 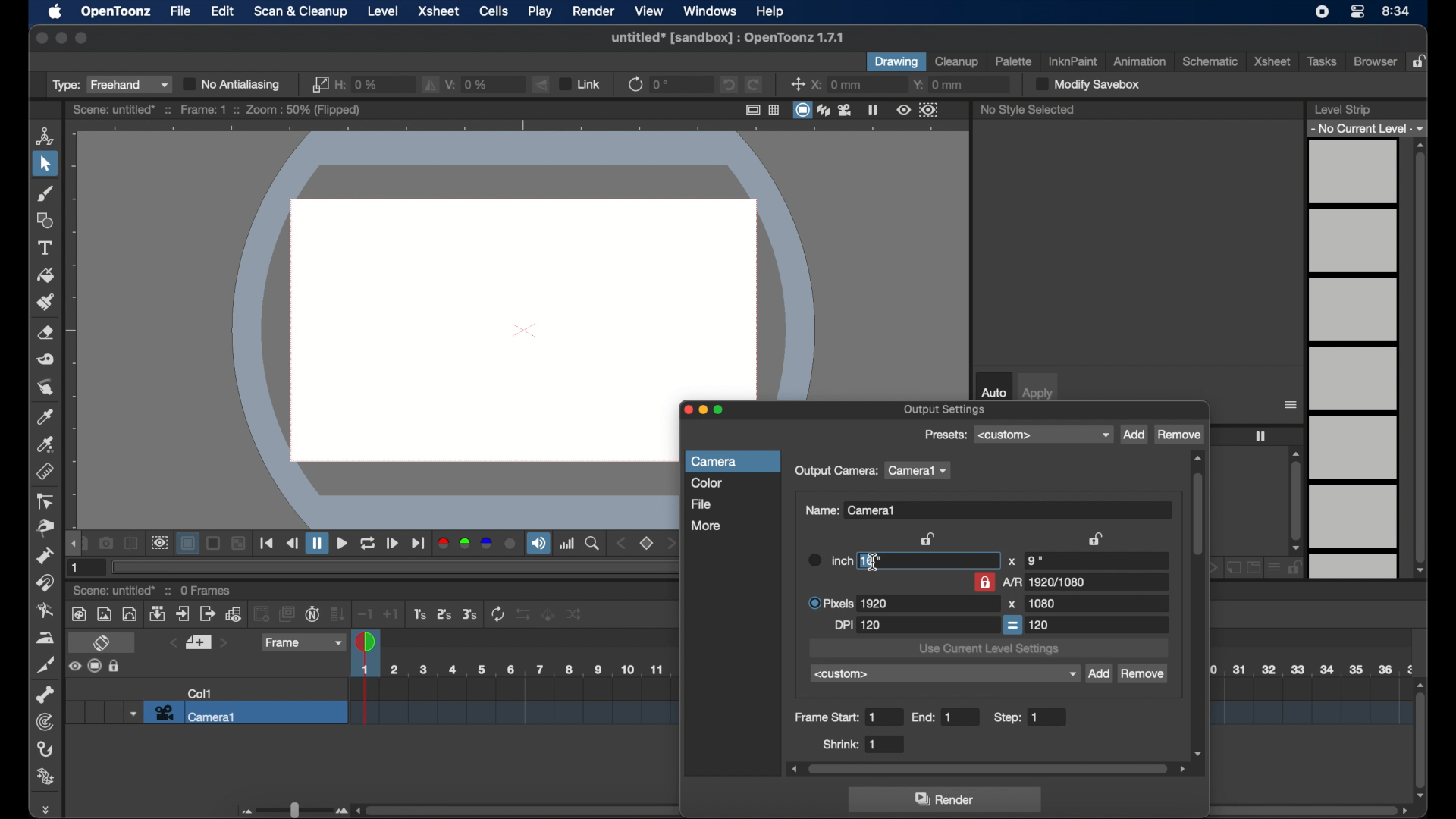 I want to click on guide options, so click(x=764, y=109).